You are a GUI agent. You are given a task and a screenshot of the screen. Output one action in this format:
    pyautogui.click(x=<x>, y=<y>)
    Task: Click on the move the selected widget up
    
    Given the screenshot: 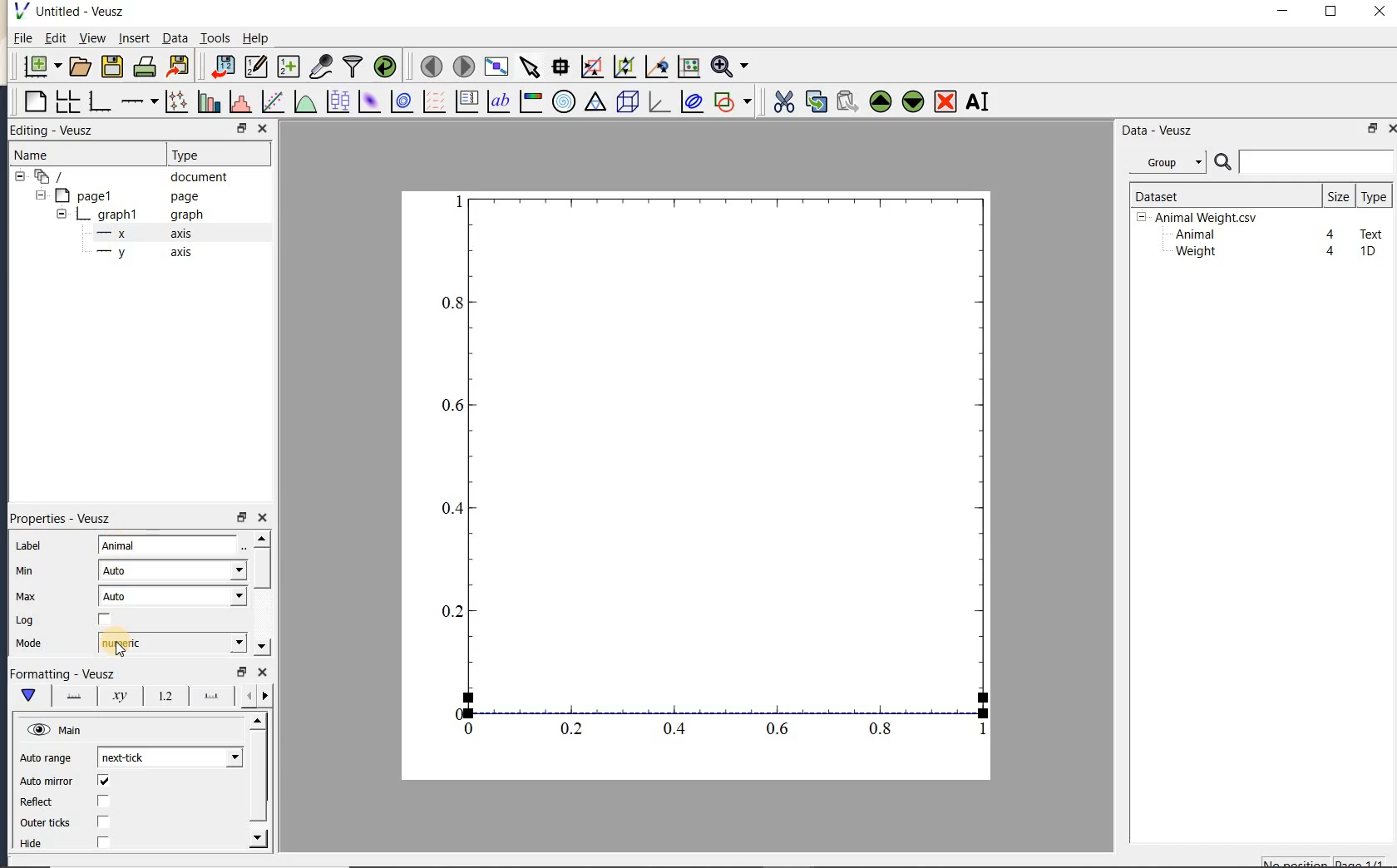 What is the action you would take?
    pyautogui.click(x=881, y=102)
    